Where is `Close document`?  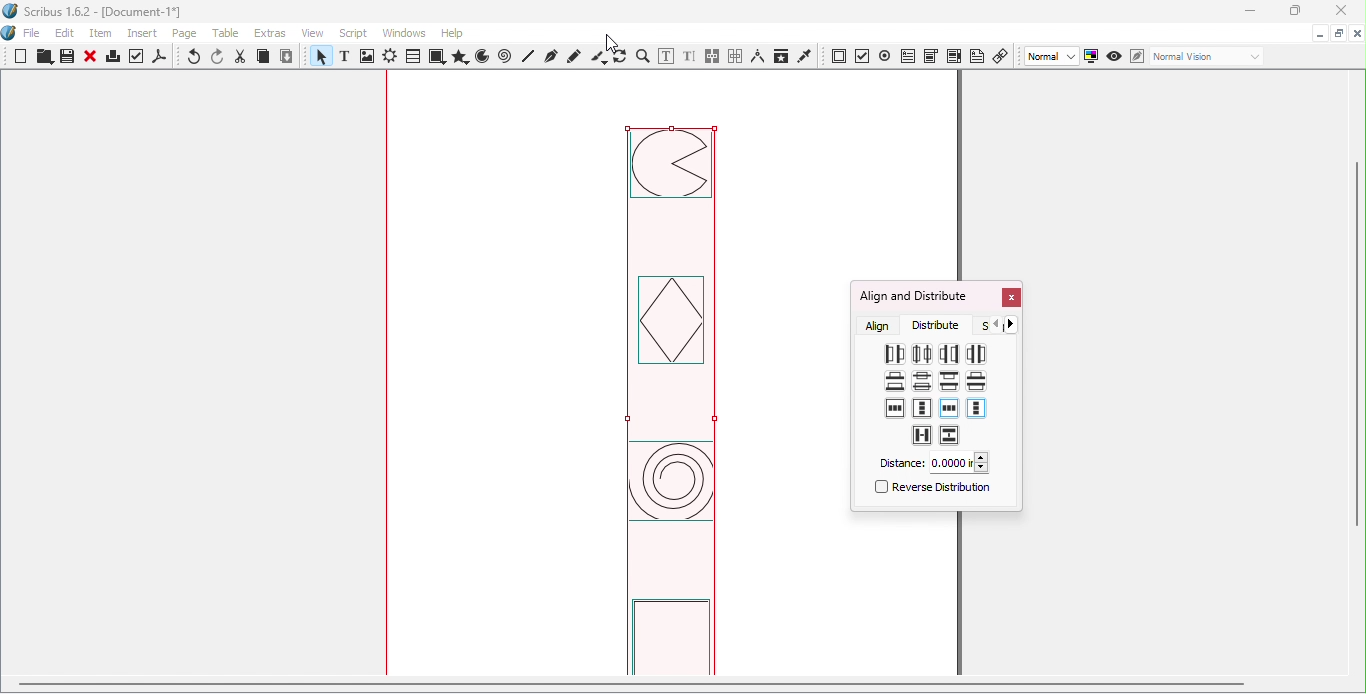 Close document is located at coordinates (1357, 34).